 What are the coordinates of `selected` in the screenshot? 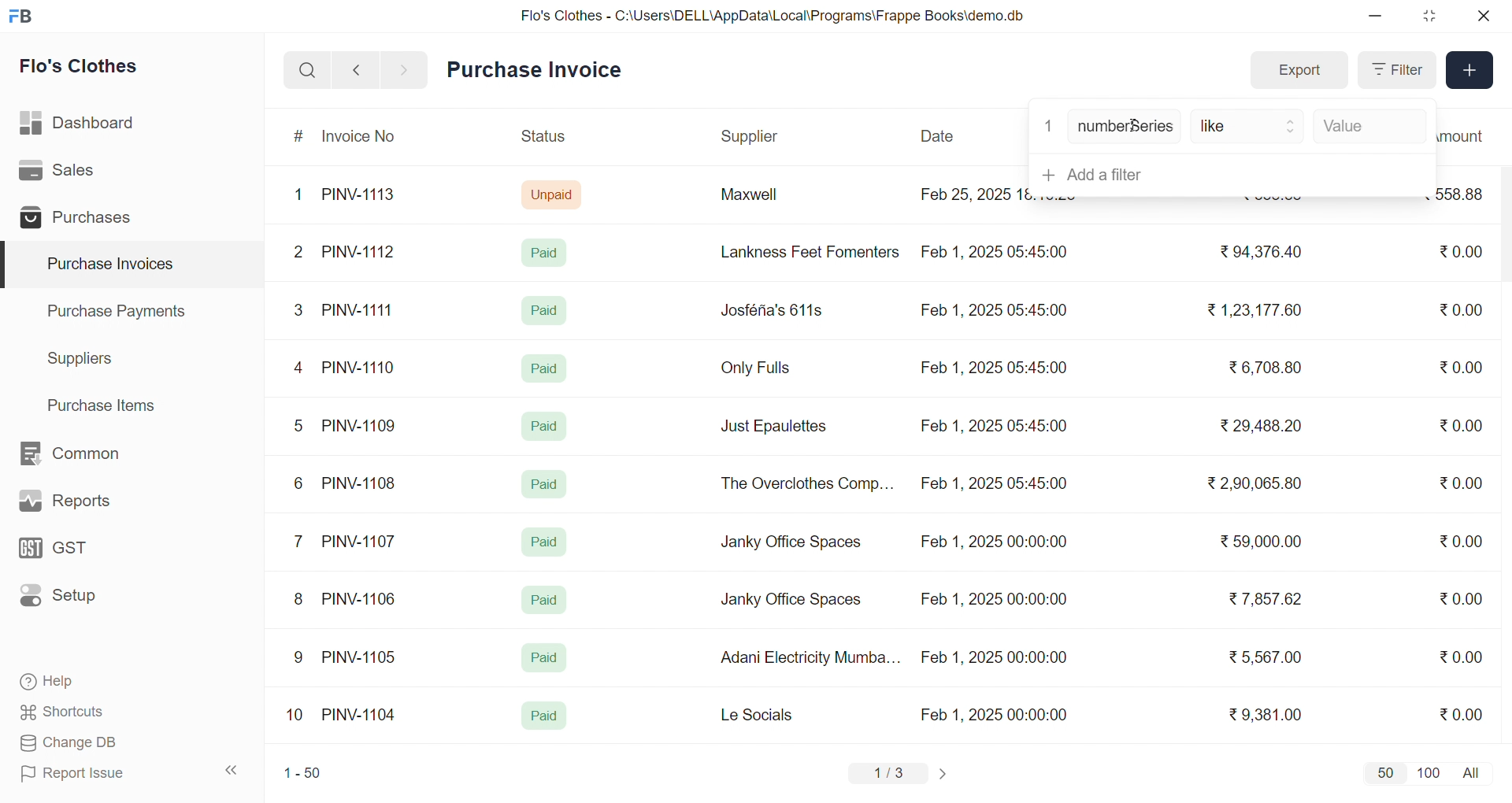 It's located at (9, 265).